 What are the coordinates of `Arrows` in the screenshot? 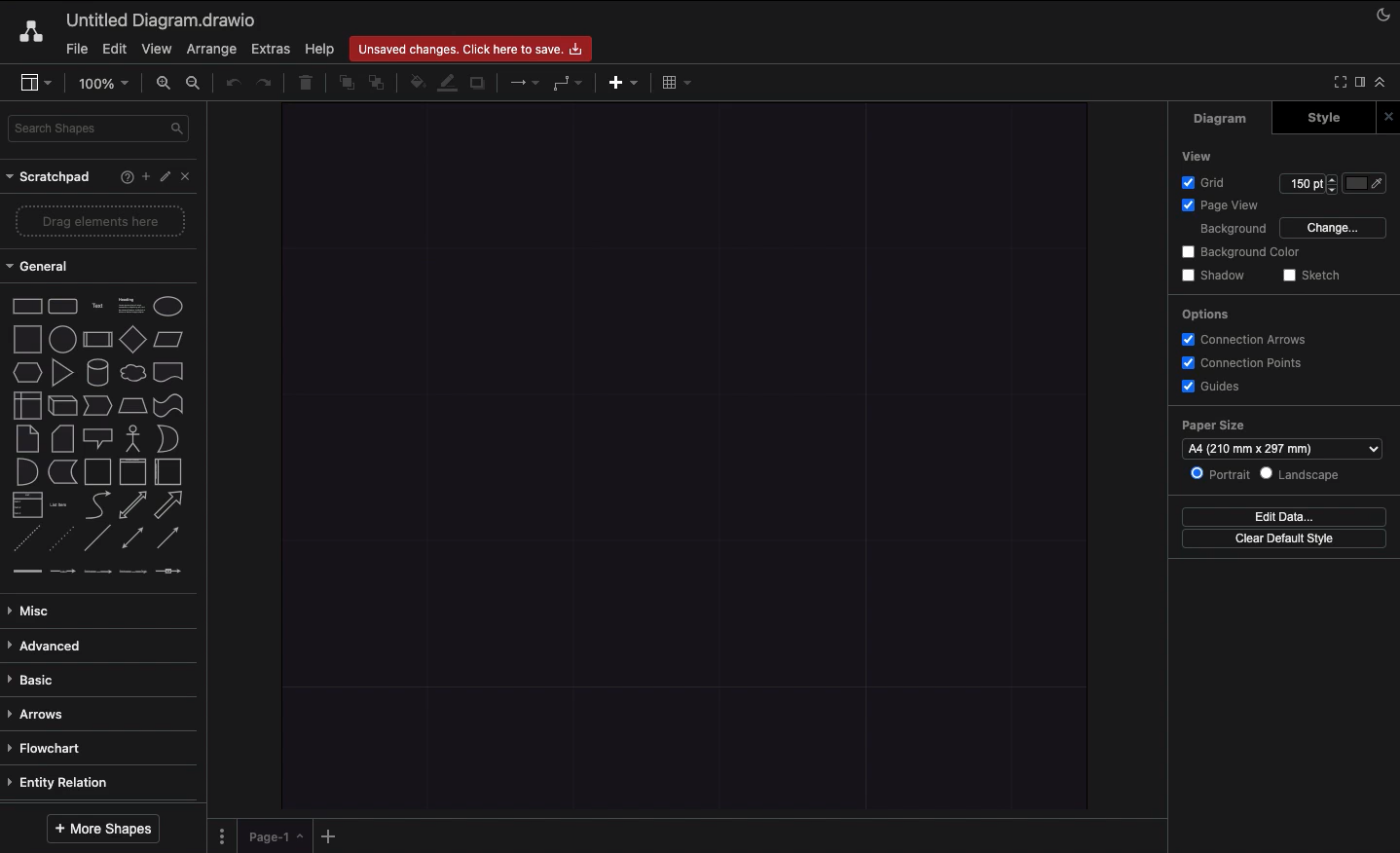 It's located at (40, 714).